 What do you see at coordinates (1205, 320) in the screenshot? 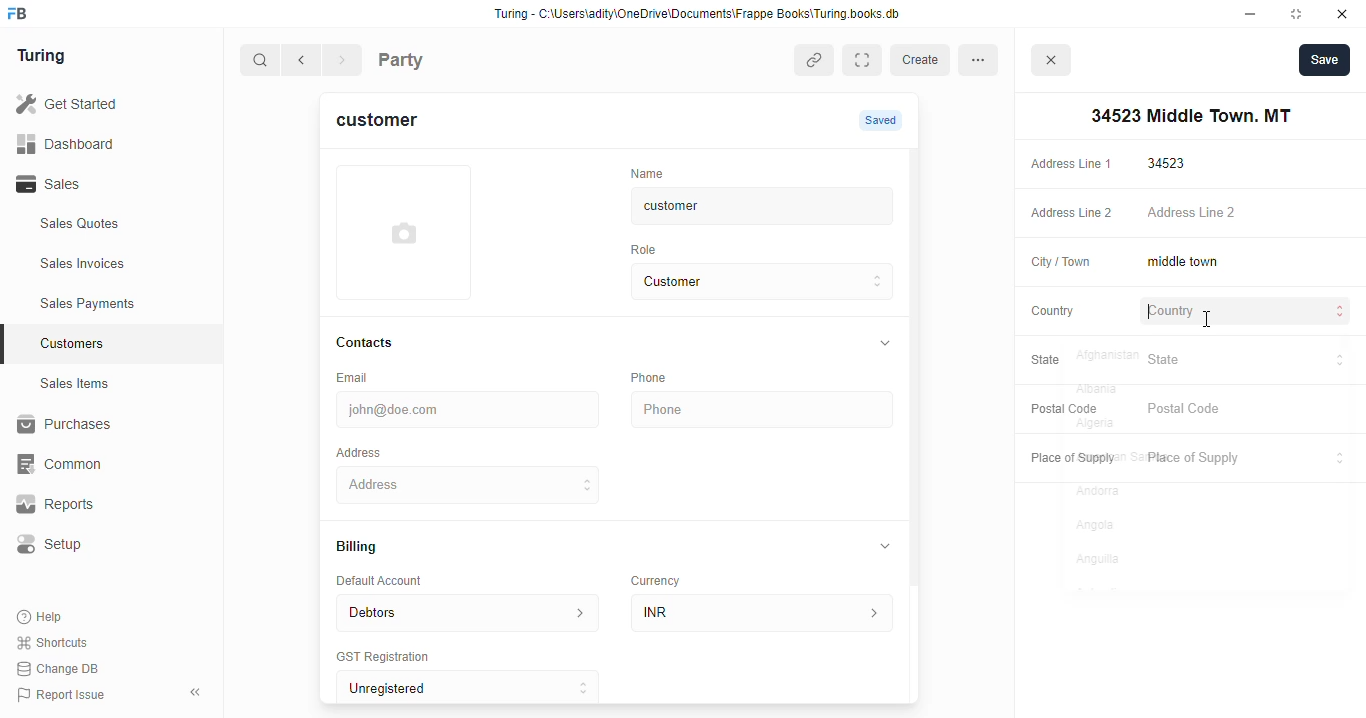
I see `cursor` at bounding box center [1205, 320].